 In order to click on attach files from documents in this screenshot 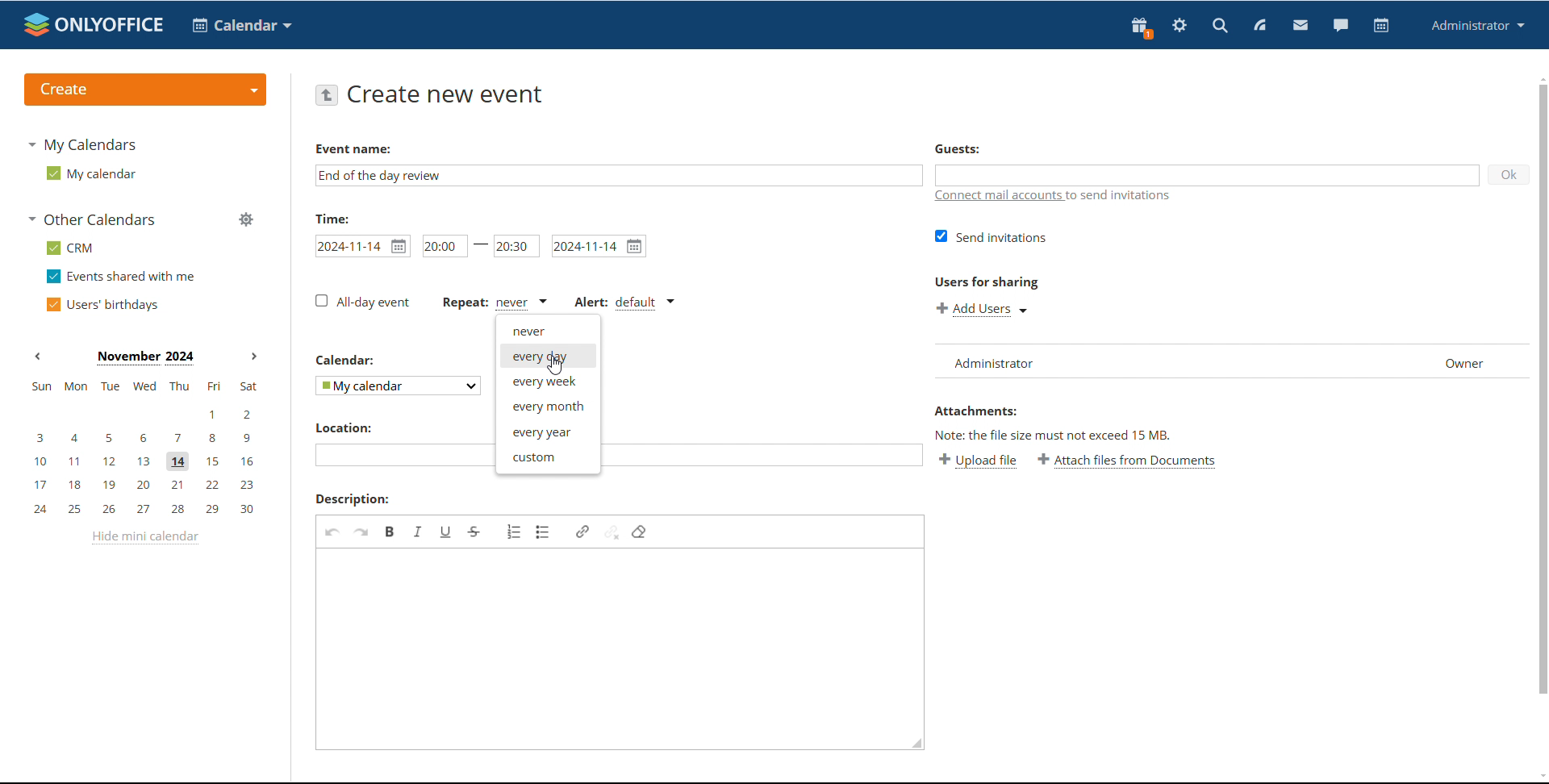, I will do `click(1128, 461)`.